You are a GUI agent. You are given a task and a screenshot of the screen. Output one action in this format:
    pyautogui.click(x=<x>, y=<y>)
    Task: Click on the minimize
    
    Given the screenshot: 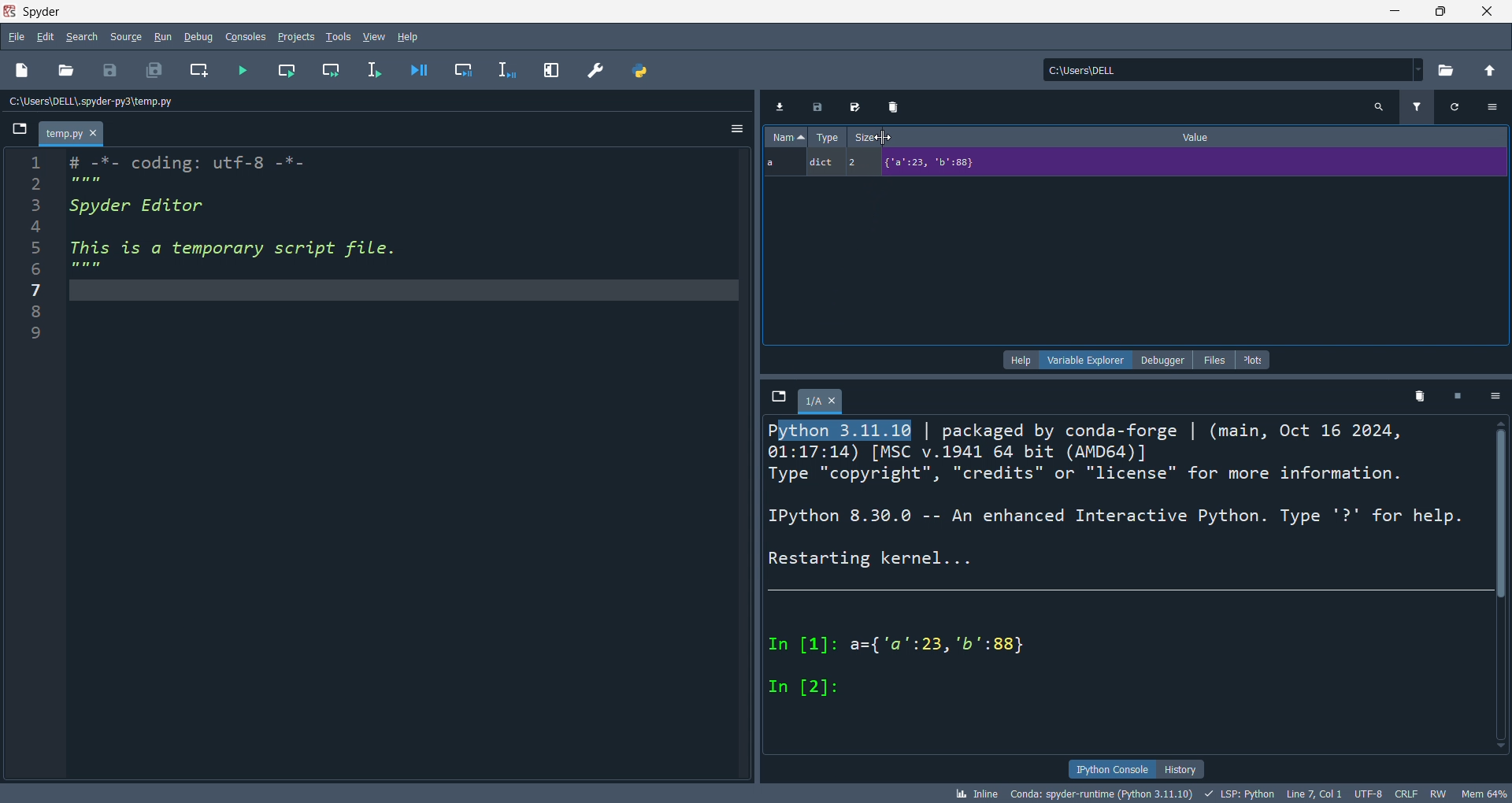 What is the action you would take?
    pyautogui.click(x=1391, y=13)
    